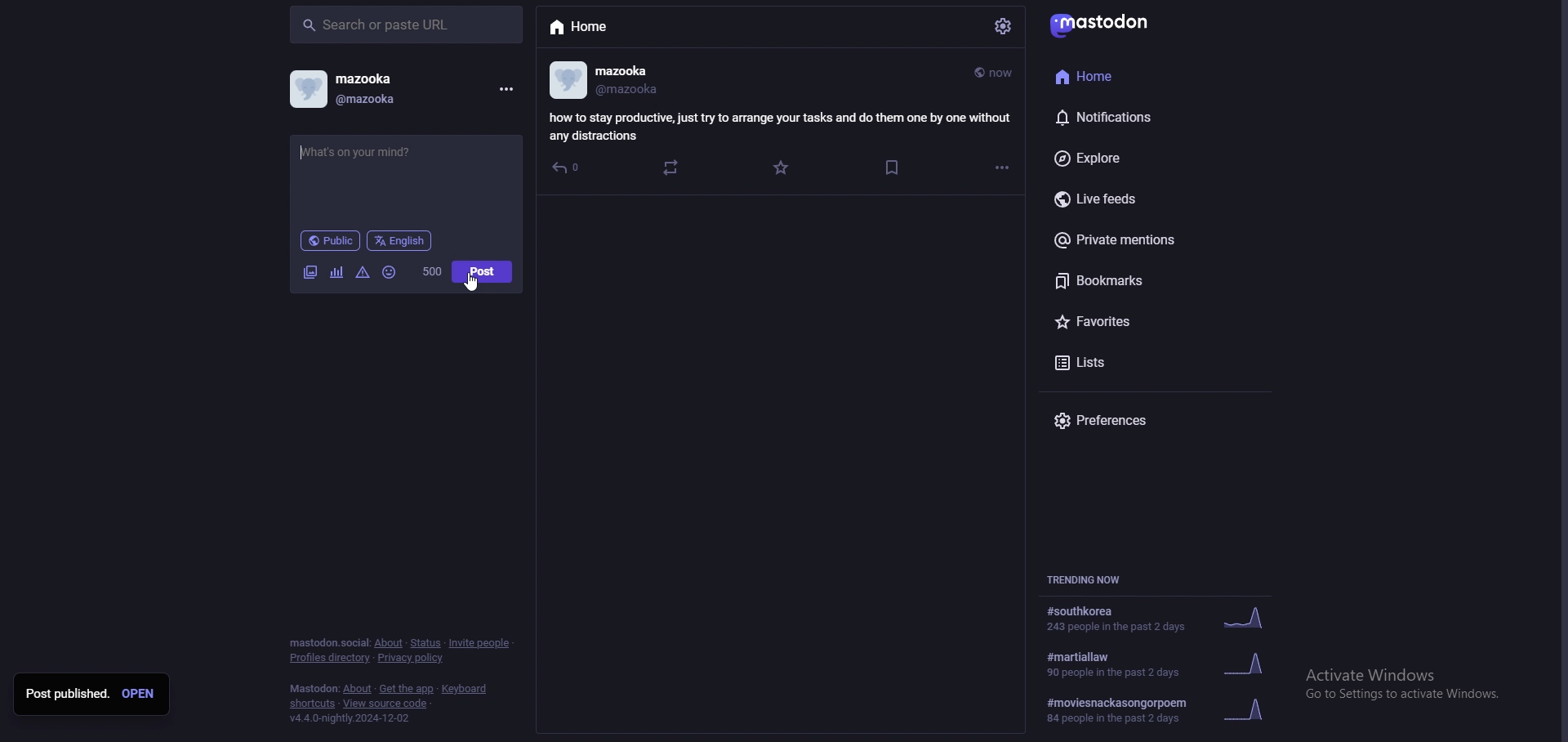 This screenshot has width=1568, height=742. I want to click on settings, so click(1005, 26).